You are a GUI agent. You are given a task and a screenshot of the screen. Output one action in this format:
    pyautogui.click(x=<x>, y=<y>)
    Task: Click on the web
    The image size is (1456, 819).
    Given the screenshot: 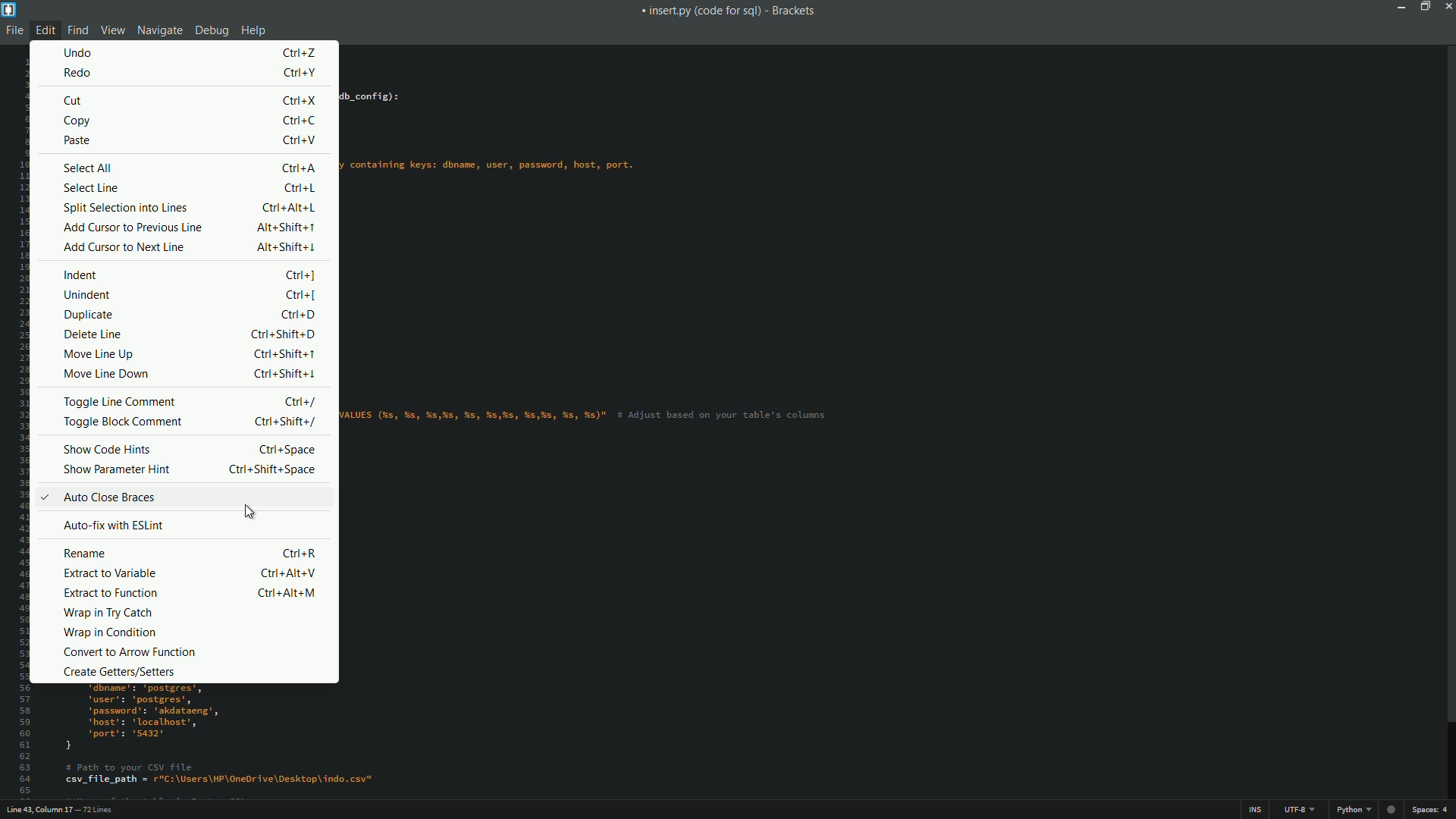 What is the action you would take?
    pyautogui.click(x=1389, y=807)
    